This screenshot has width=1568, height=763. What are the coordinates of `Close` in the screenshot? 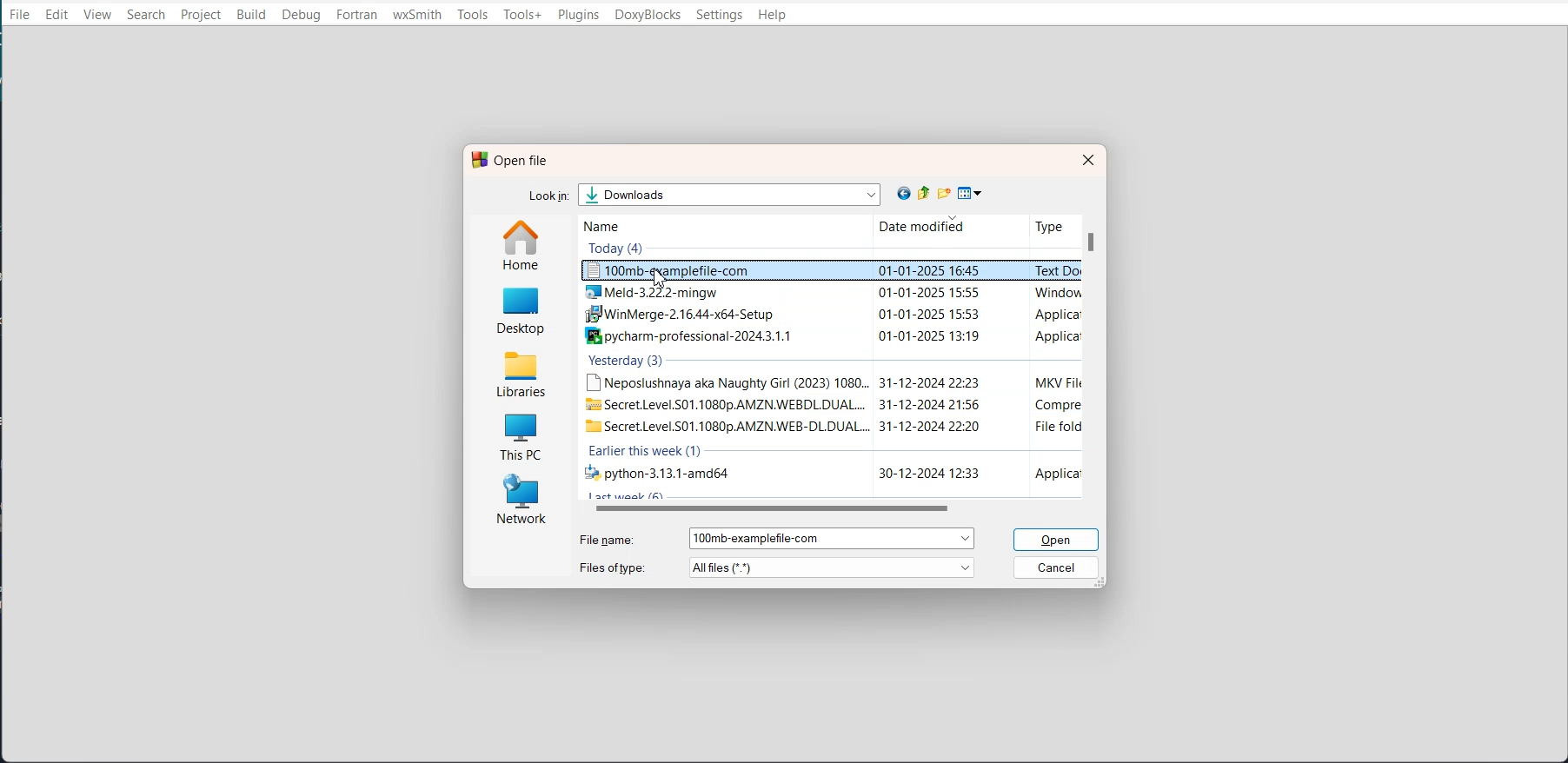 It's located at (1086, 159).